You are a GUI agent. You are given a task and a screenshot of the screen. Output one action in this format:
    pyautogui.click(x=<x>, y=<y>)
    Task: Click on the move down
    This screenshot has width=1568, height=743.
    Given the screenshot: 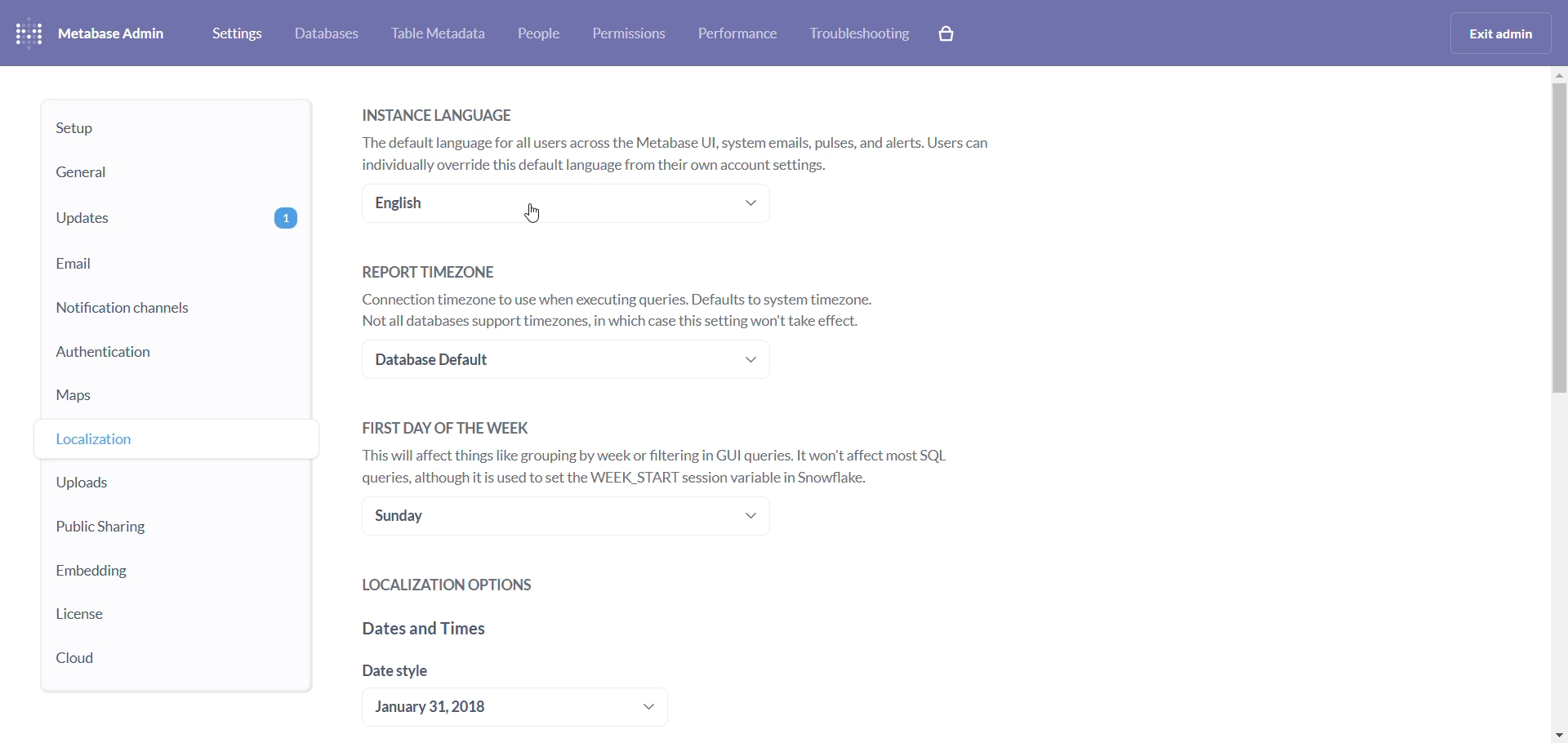 What is the action you would take?
    pyautogui.click(x=1558, y=736)
    